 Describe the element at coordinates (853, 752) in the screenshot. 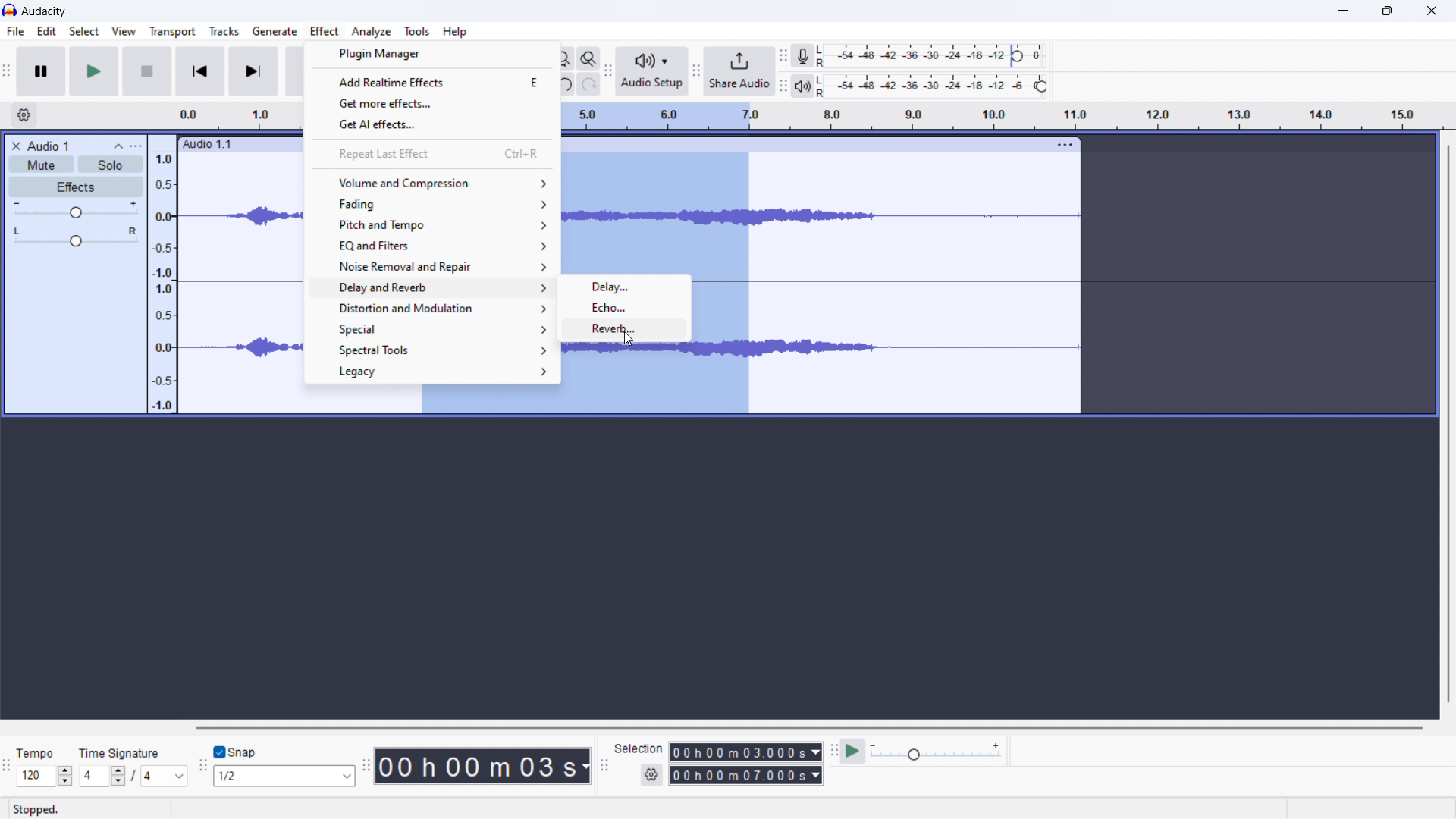

I see `play at speed` at that location.